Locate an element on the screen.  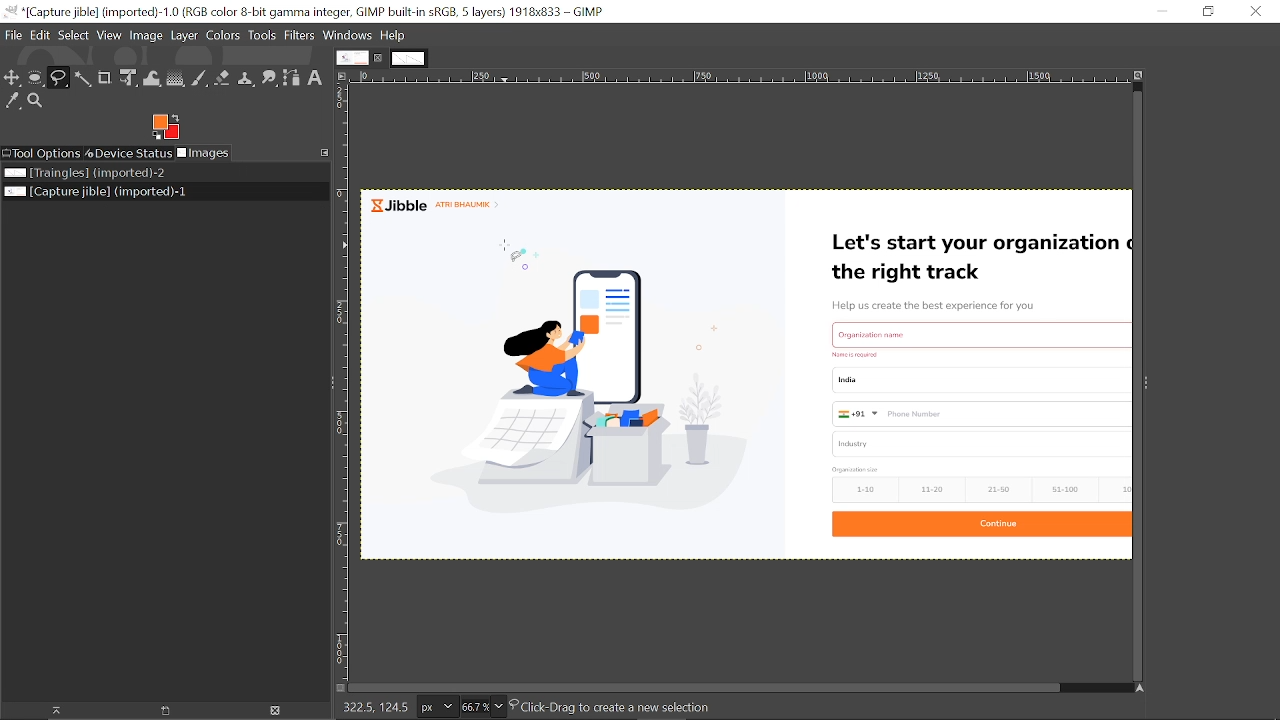
Current image is located at coordinates (743, 372).